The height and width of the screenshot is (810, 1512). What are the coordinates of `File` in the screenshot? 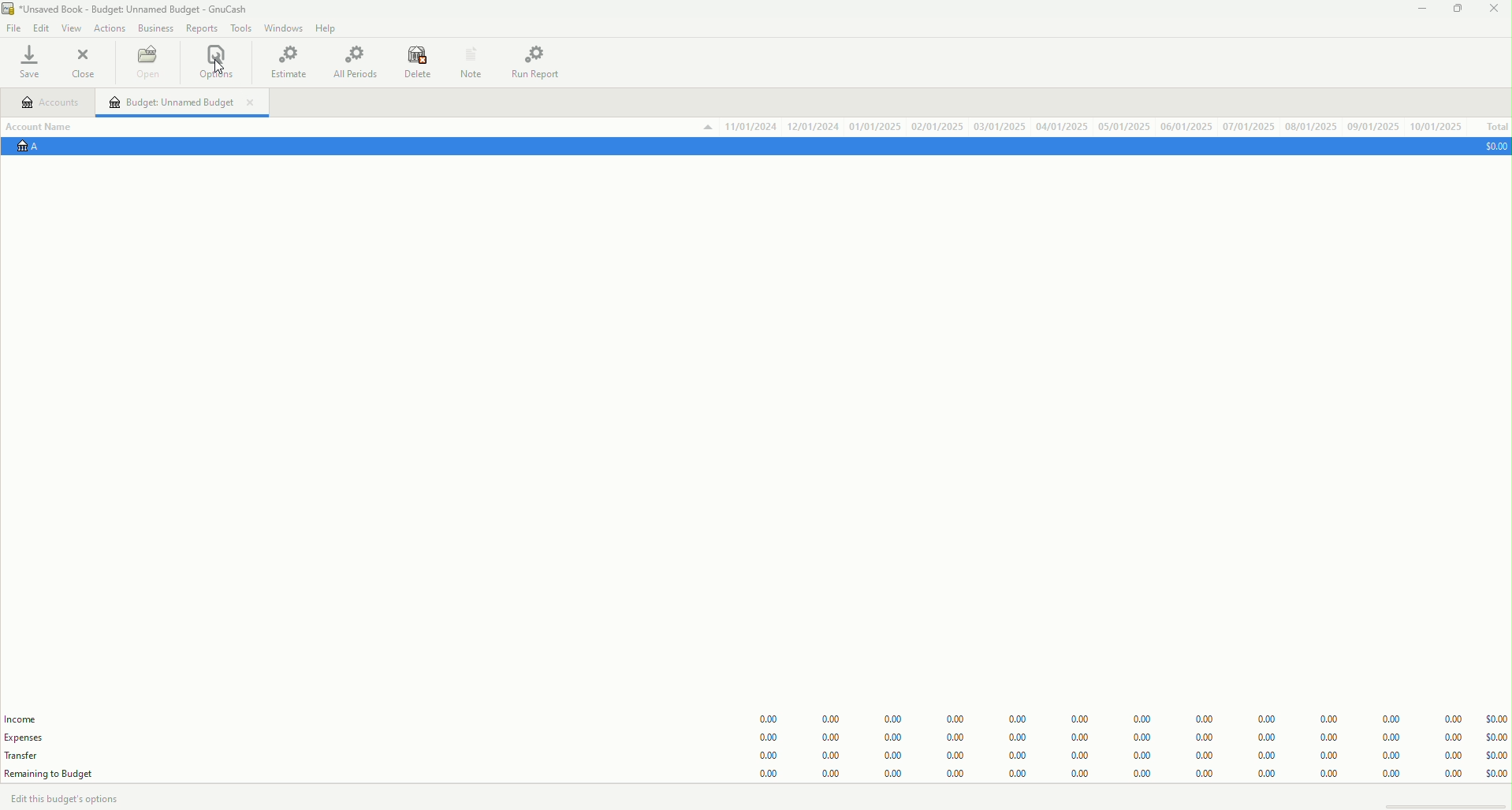 It's located at (15, 28).